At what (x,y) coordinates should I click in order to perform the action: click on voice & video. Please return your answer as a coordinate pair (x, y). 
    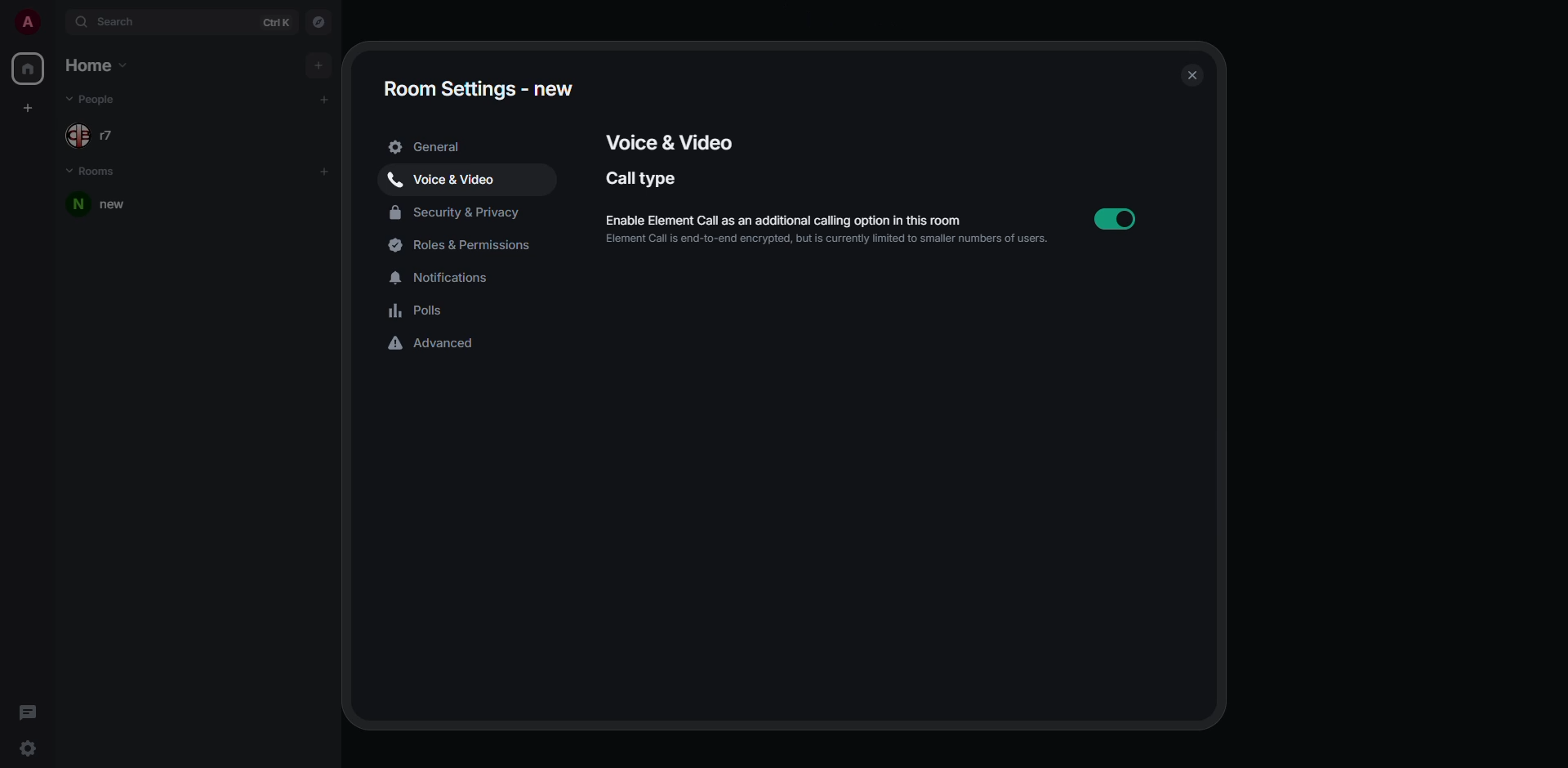
    Looking at the image, I should click on (669, 139).